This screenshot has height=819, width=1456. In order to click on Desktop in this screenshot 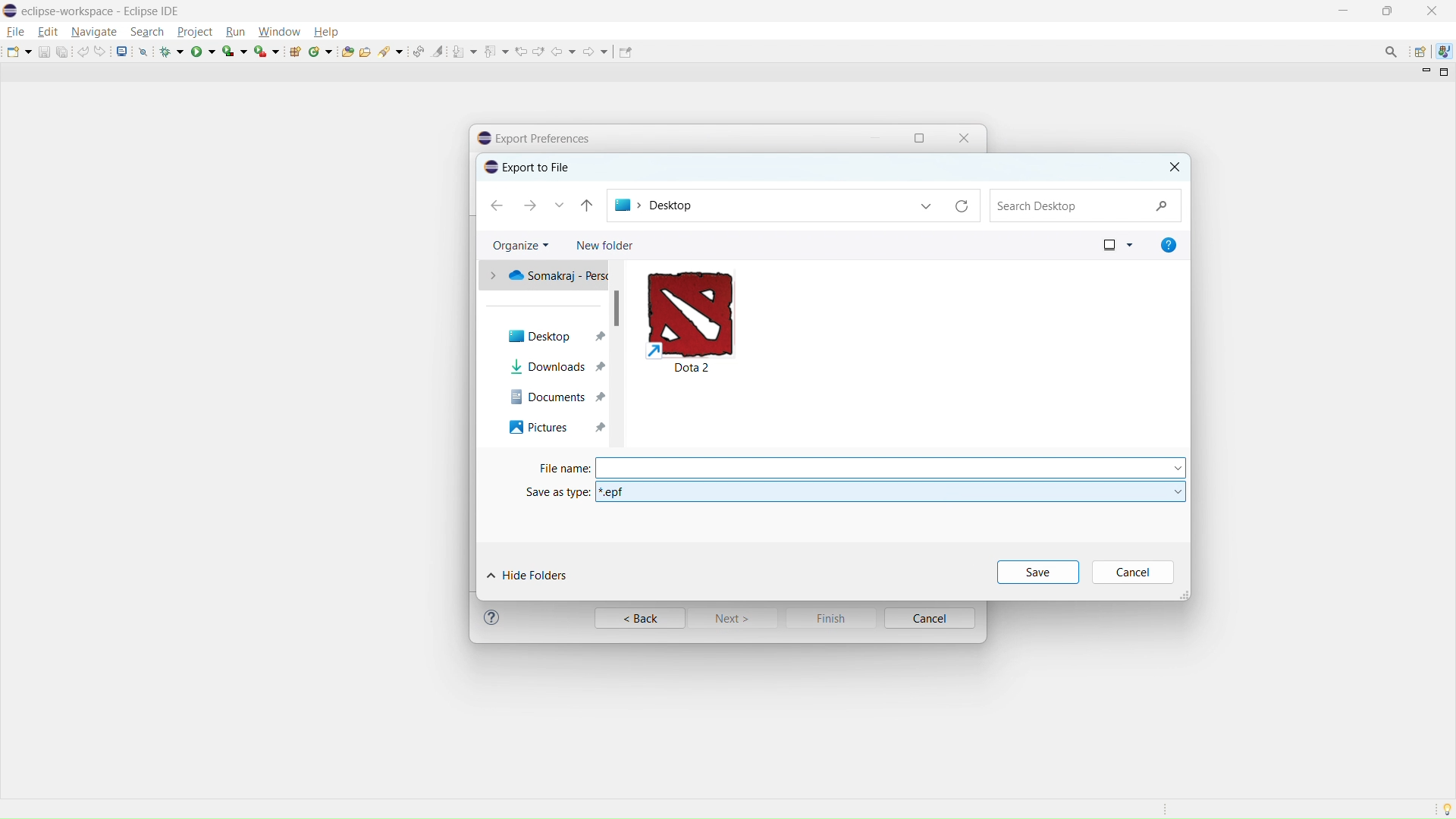, I will do `click(548, 328)`.